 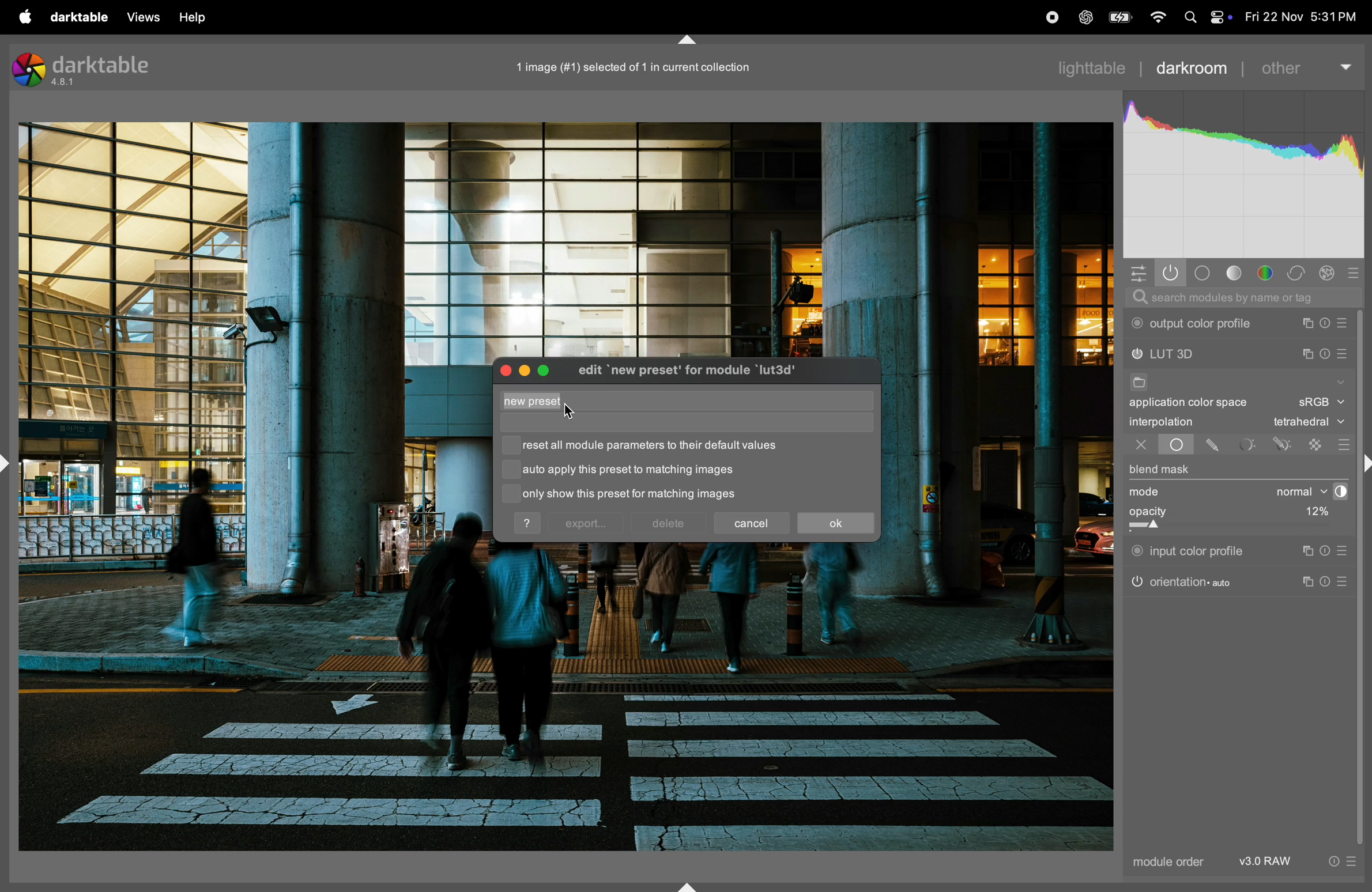 What do you see at coordinates (668, 524) in the screenshot?
I see `delete` at bounding box center [668, 524].